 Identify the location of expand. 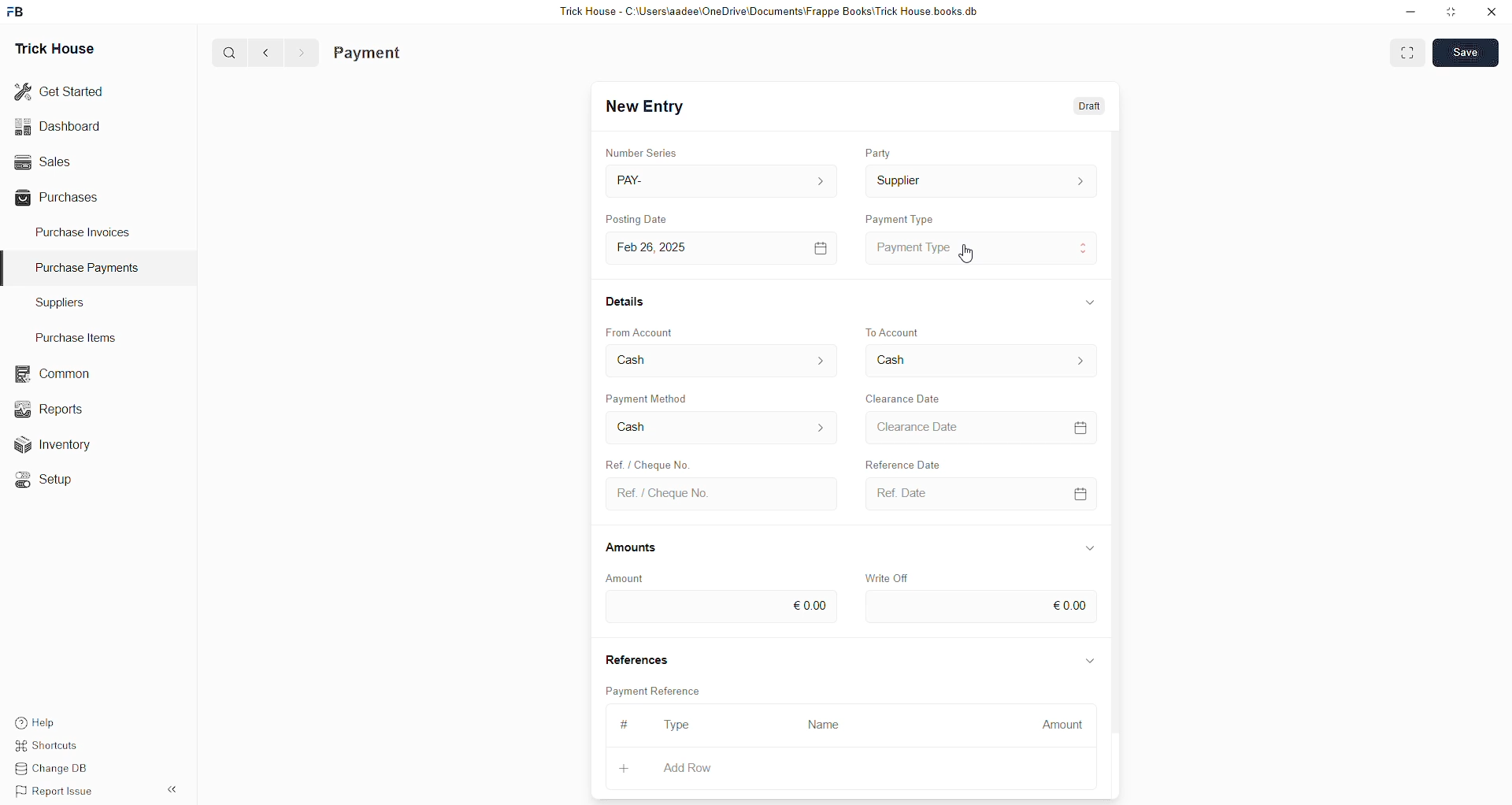
(1089, 658).